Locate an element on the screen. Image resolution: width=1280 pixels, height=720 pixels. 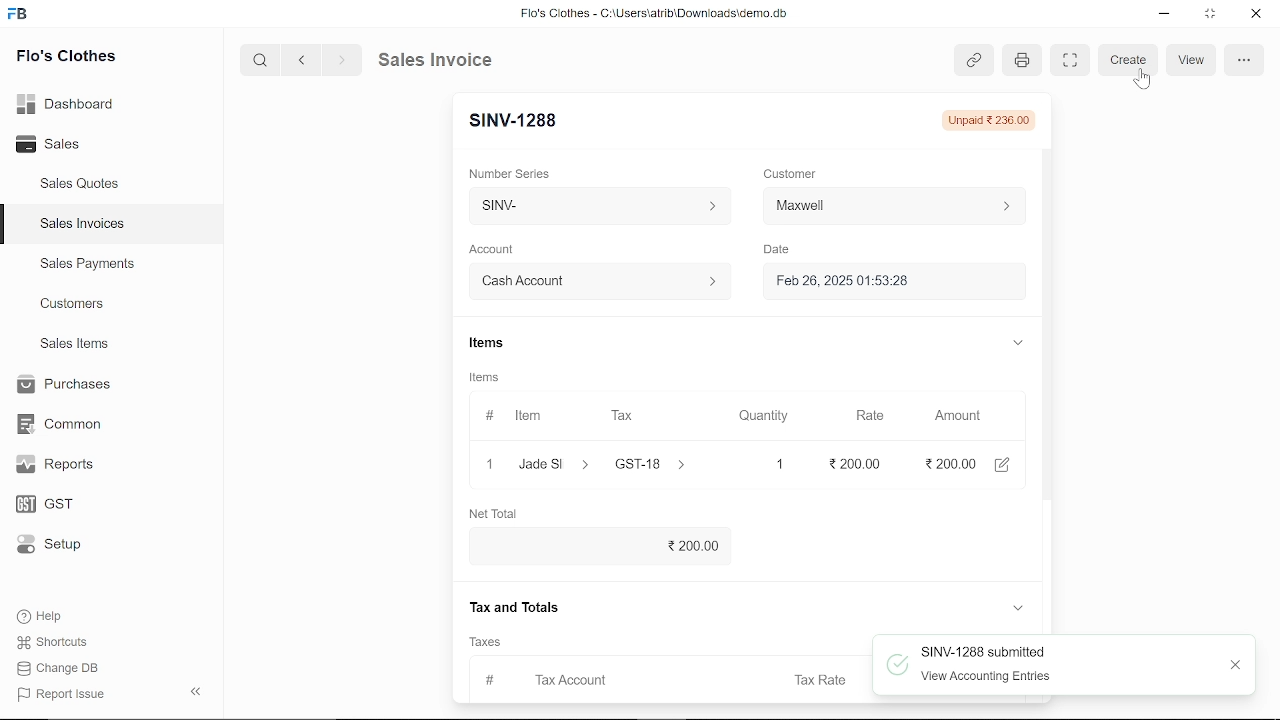
print is located at coordinates (1019, 61).